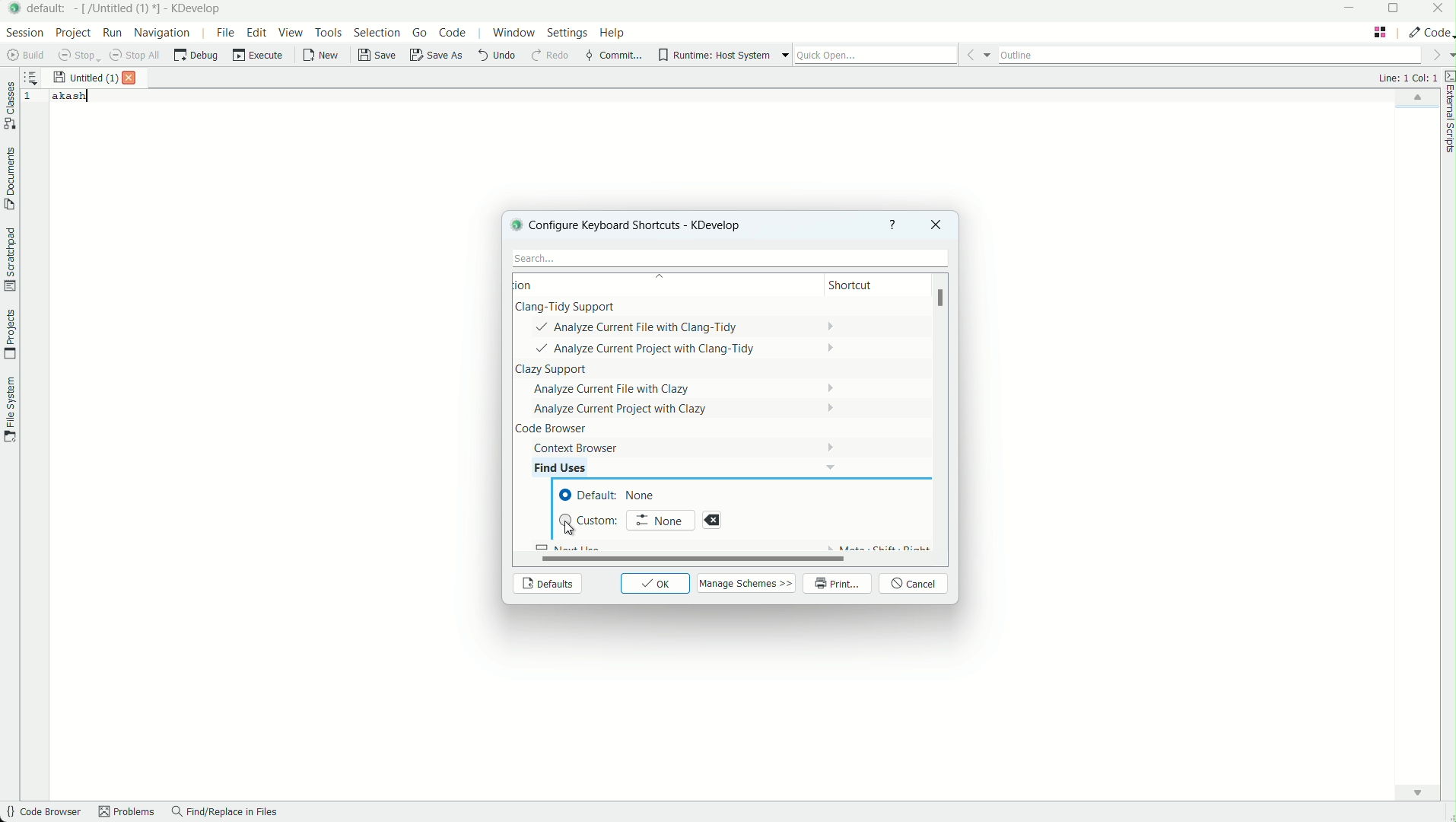 The height and width of the screenshot is (822, 1456). I want to click on default, so click(613, 495).